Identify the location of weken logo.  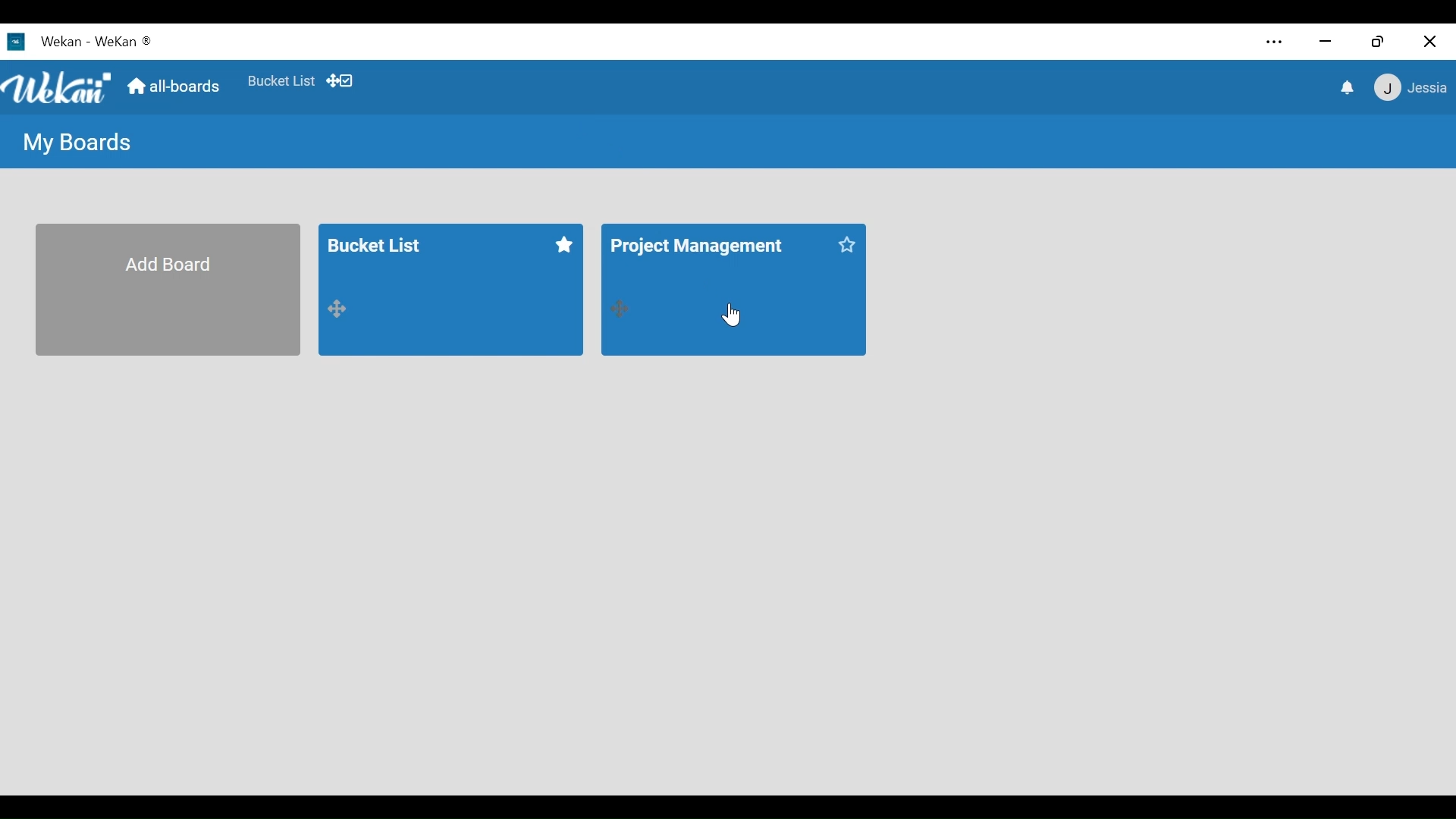
(58, 89).